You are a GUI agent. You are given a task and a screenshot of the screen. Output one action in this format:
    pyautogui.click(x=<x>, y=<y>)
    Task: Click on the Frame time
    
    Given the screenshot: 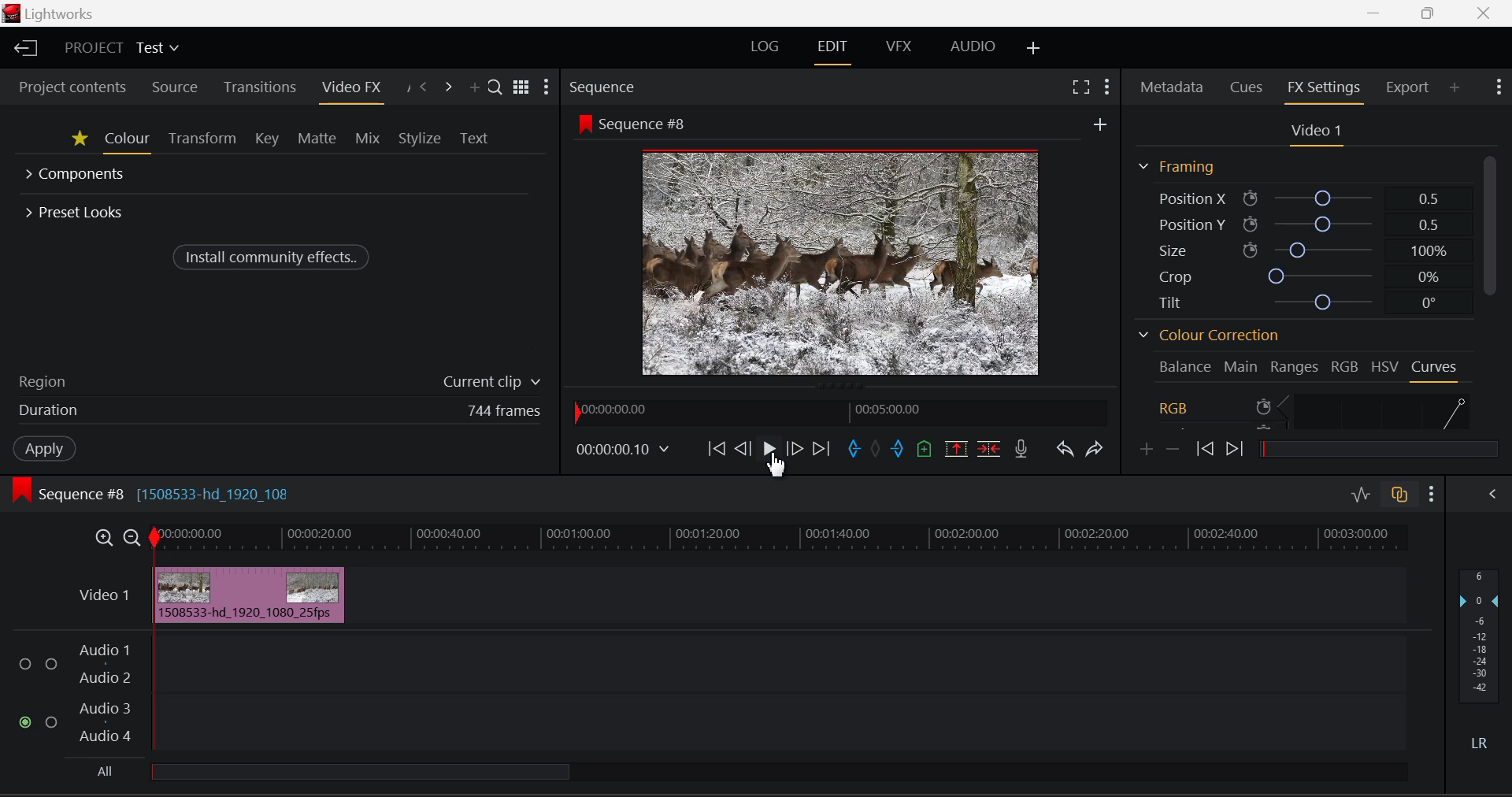 What is the action you would take?
    pyautogui.click(x=625, y=451)
    